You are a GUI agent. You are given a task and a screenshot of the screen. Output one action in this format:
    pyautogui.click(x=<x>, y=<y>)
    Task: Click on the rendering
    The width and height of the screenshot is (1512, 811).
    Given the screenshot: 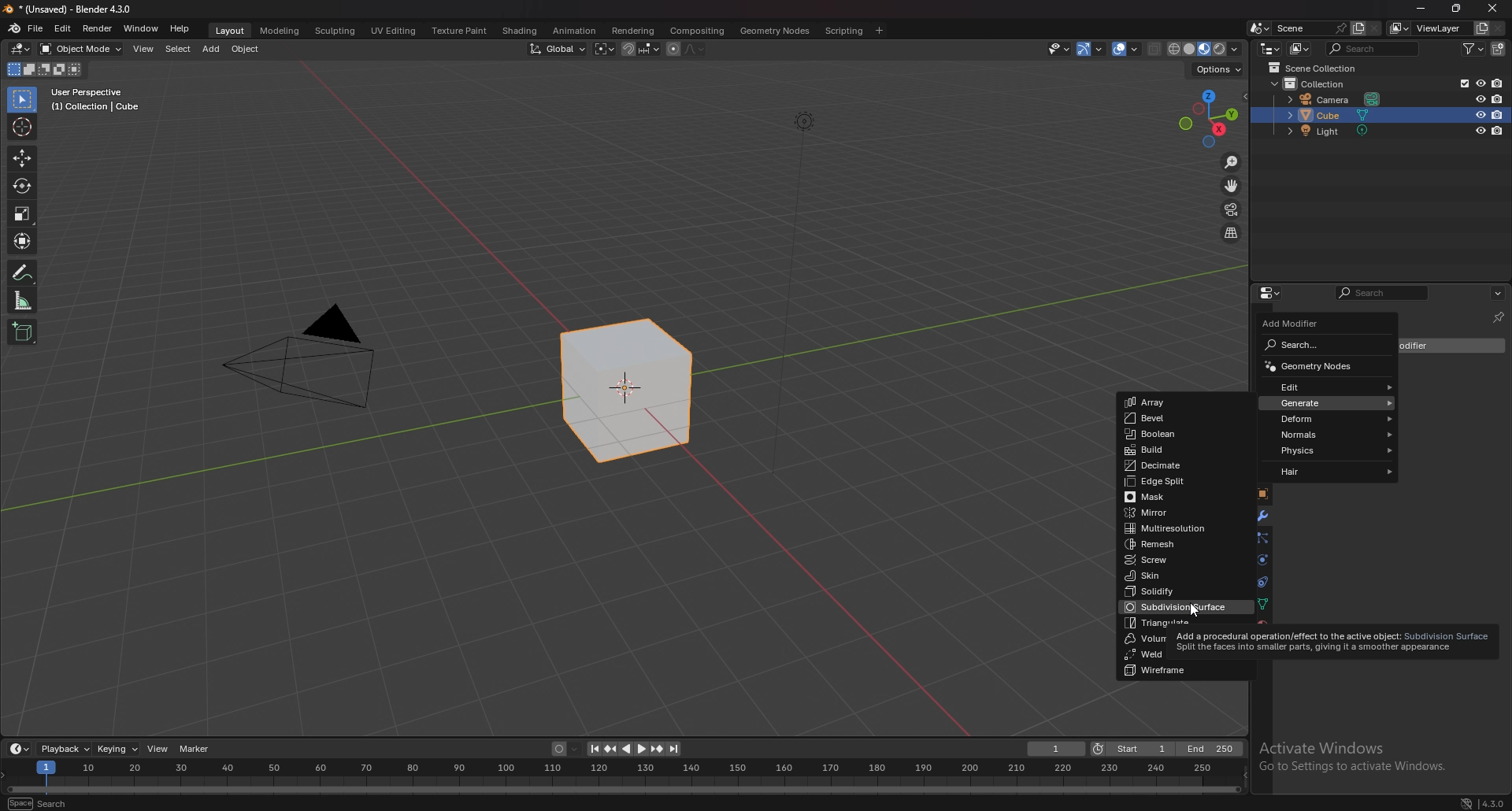 What is the action you would take?
    pyautogui.click(x=633, y=31)
    